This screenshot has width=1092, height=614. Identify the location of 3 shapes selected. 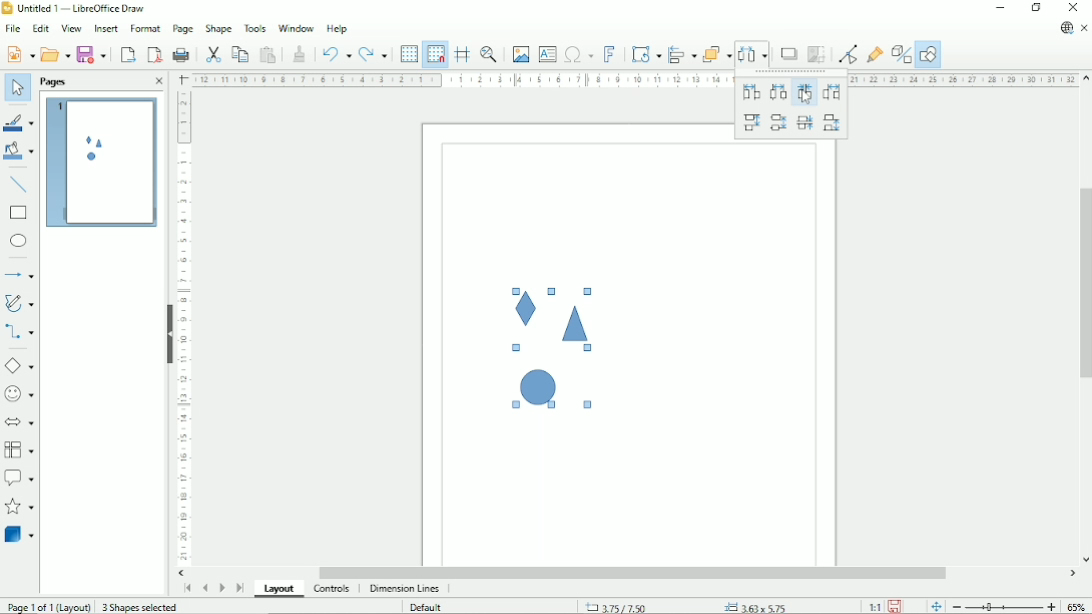
(142, 607).